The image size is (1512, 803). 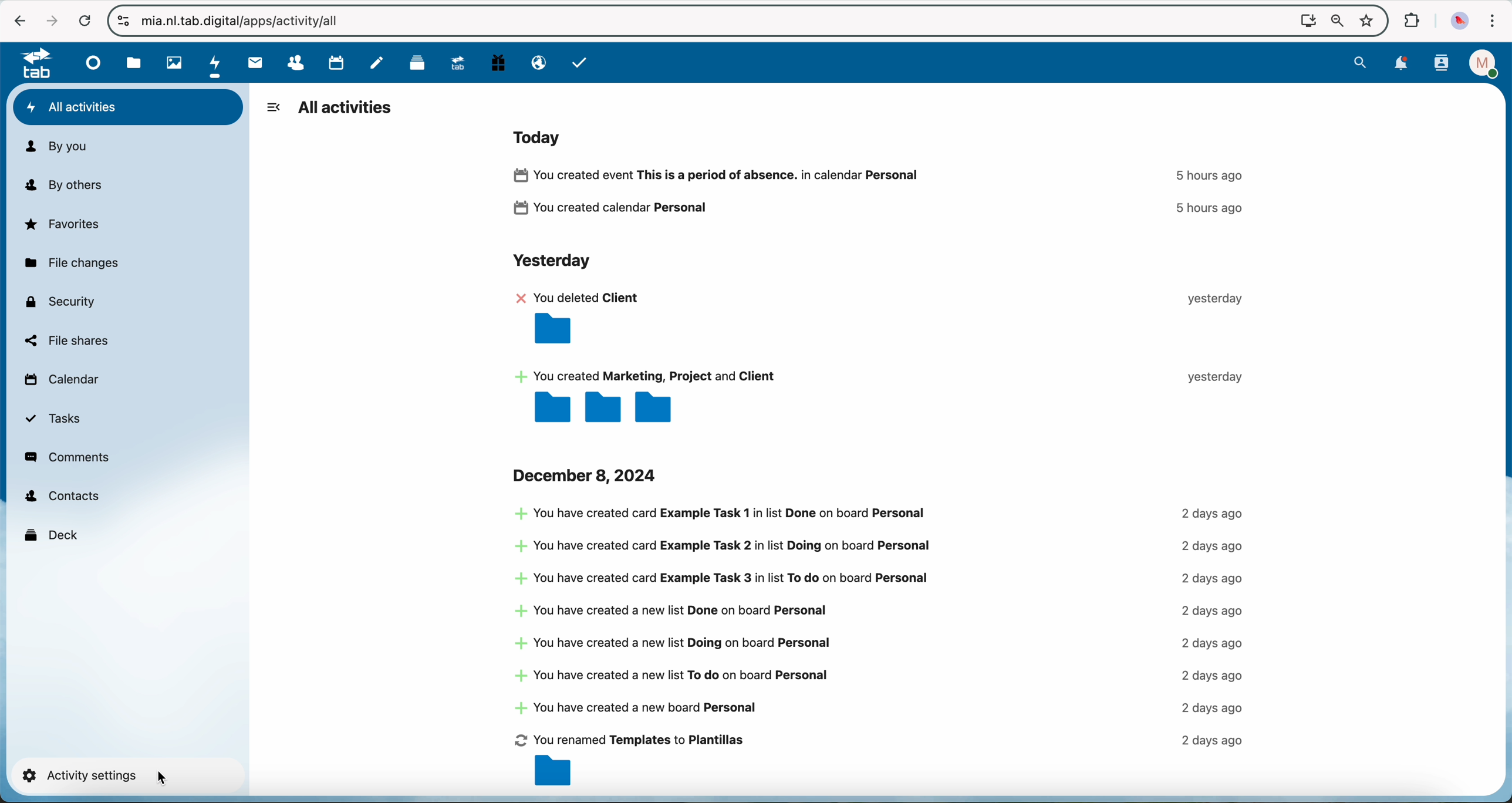 I want to click on deck, so click(x=413, y=63).